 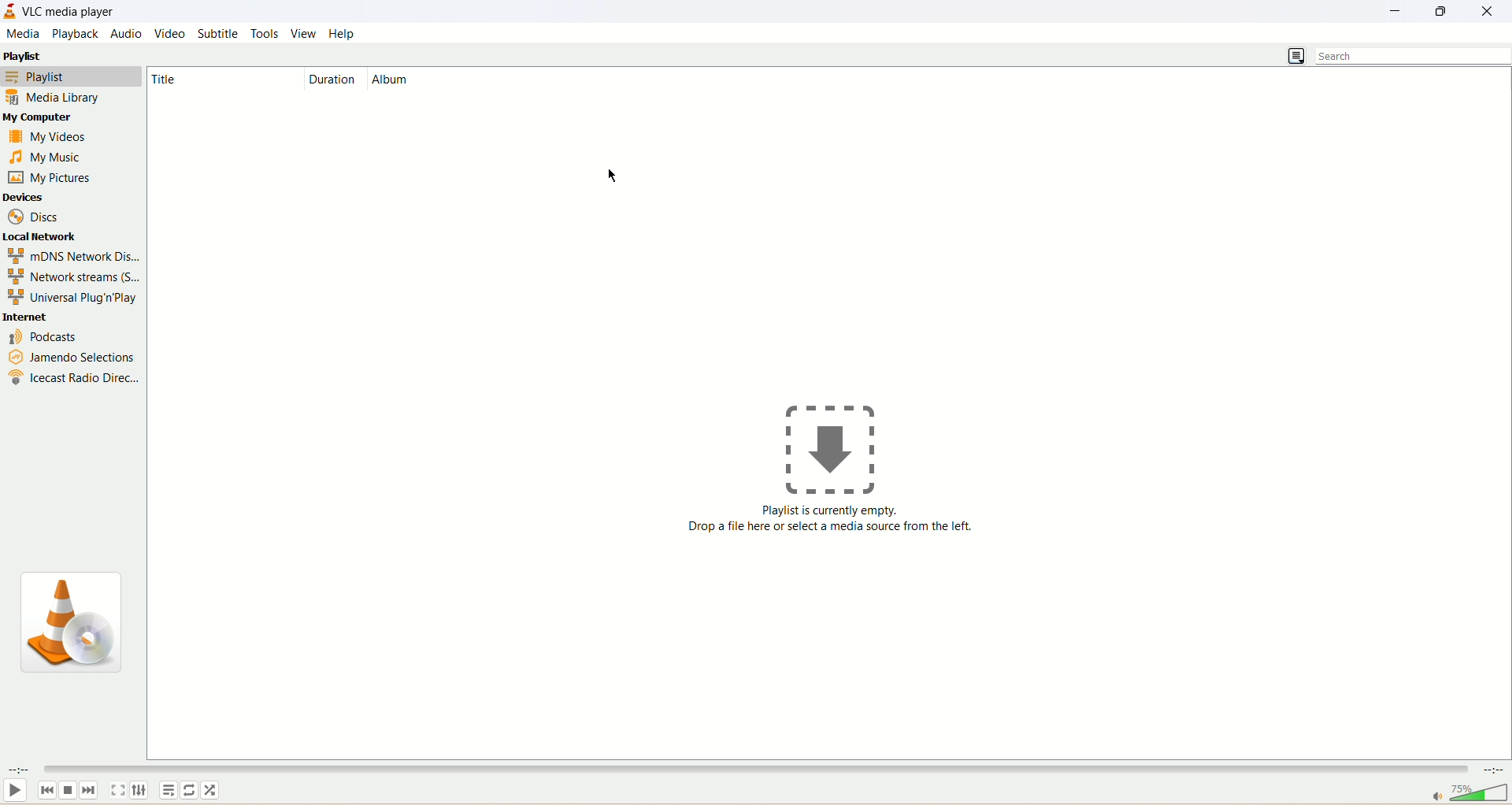 I want to click on stop, so click(x=70, y=788).